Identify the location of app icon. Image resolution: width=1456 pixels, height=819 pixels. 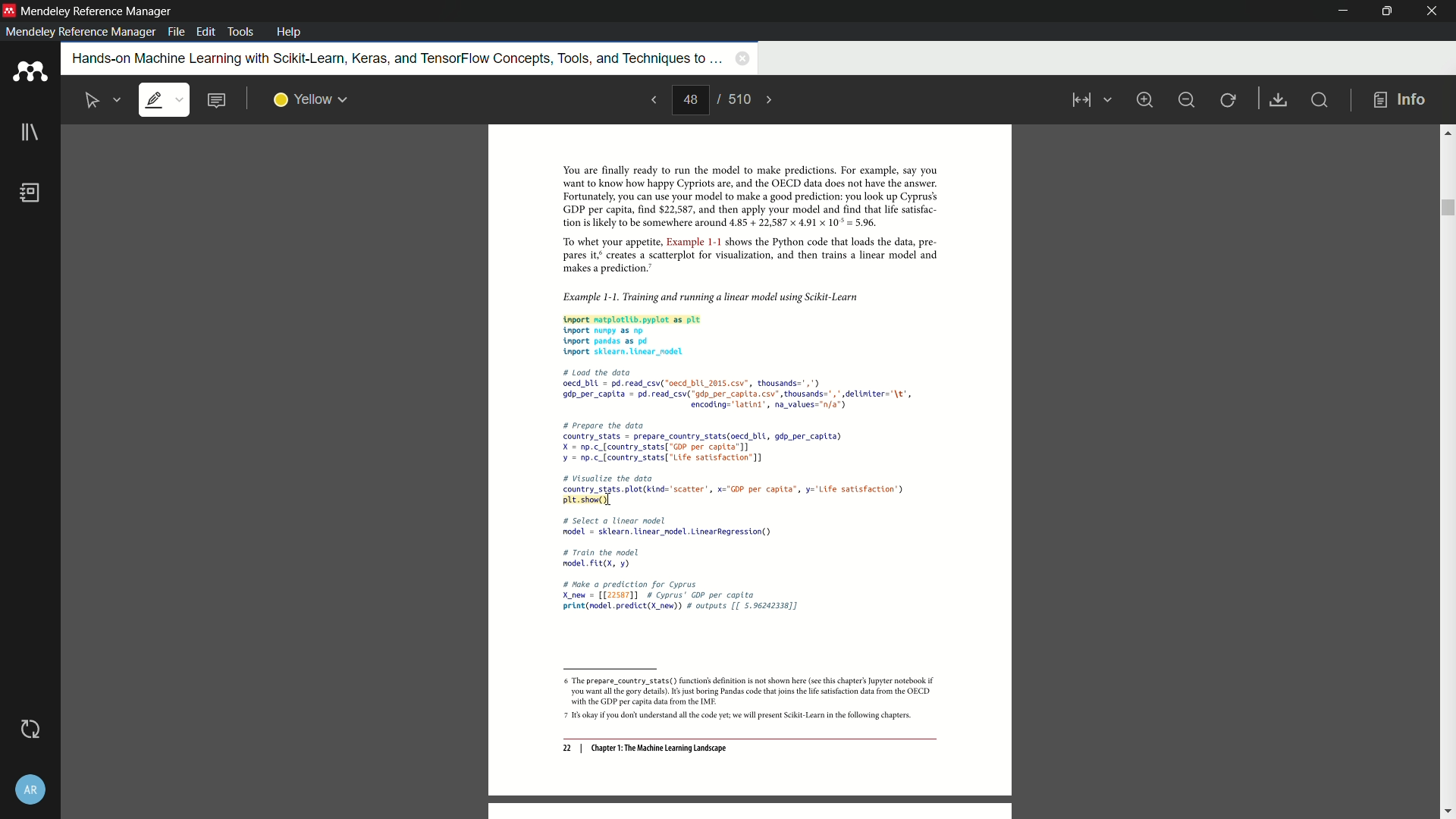
(9, 10).